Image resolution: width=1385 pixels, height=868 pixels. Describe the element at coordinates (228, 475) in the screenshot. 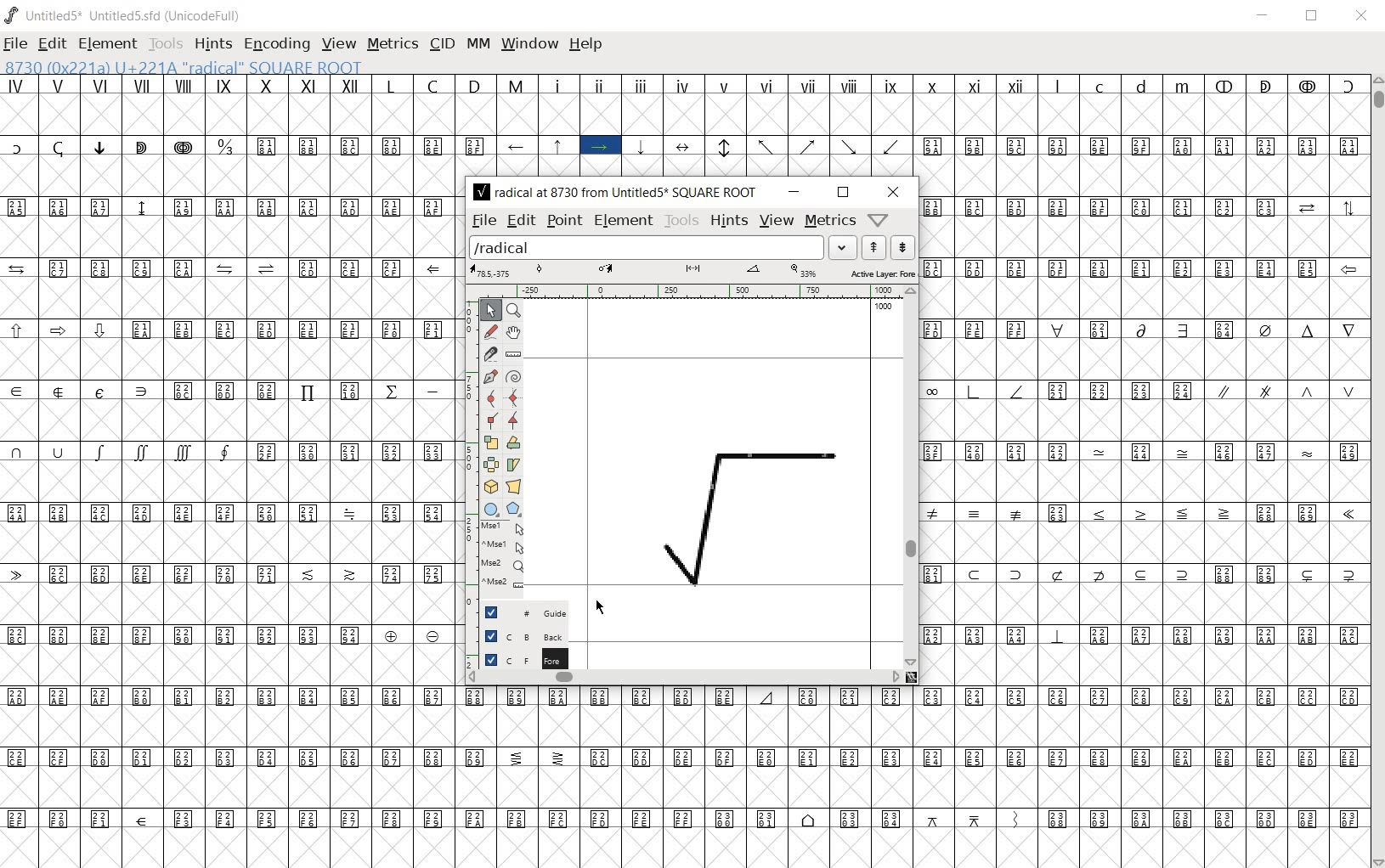

I see `Glyph characters` at that location.